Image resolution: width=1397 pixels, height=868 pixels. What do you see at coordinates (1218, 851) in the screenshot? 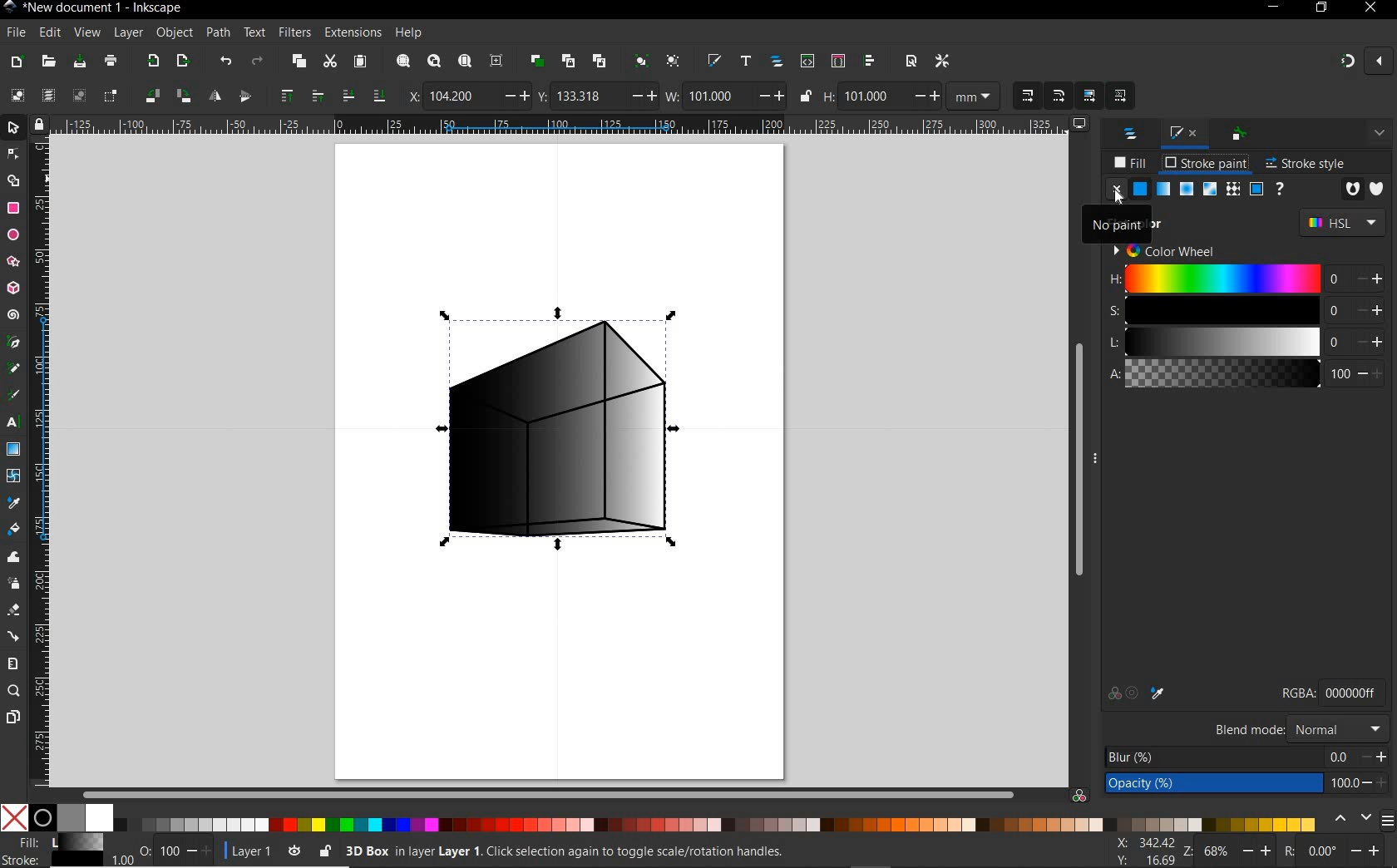
I see `68` at bounding box center [1218, 851].